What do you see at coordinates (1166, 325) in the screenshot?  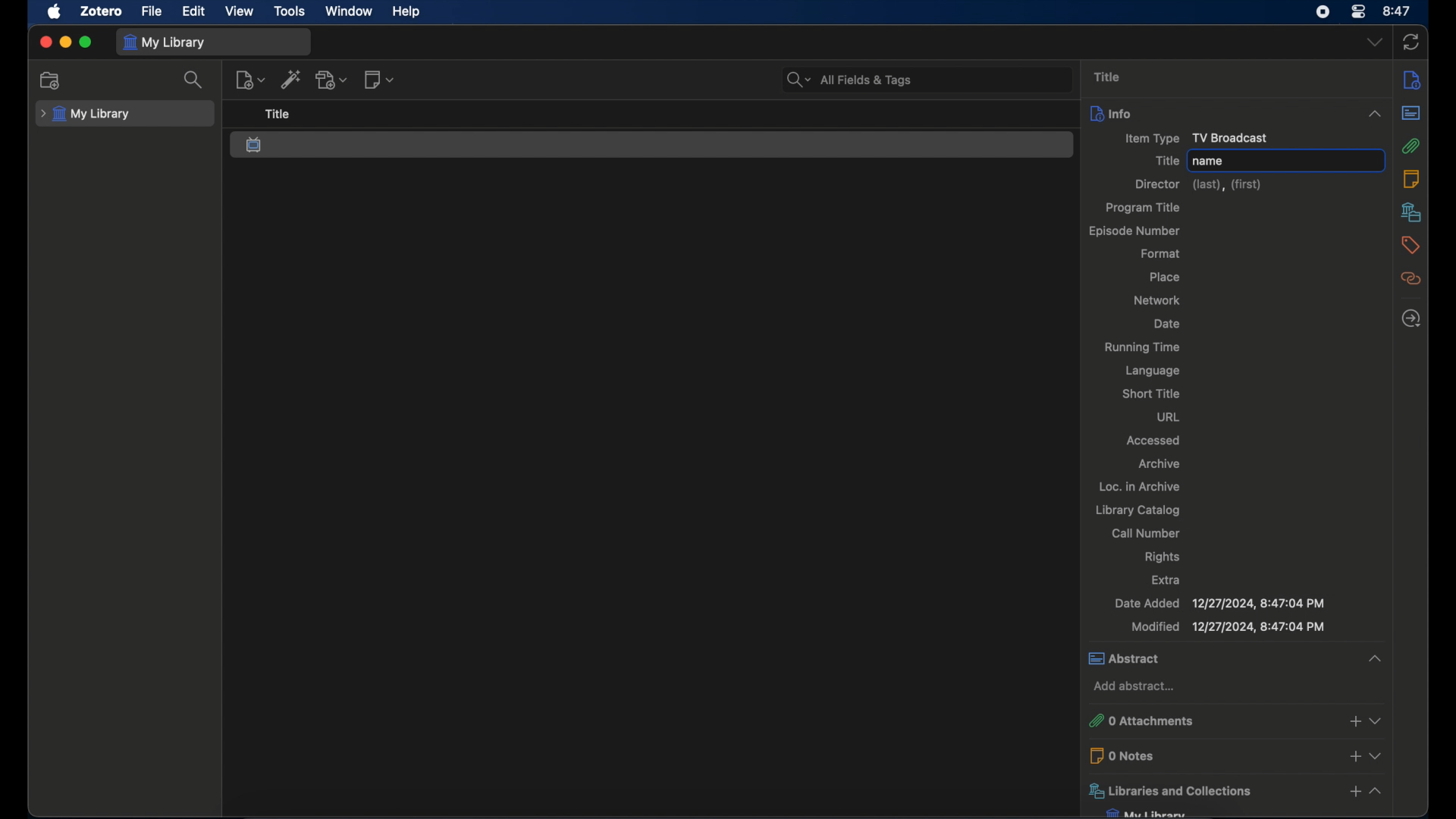 I see `date` at bounding box center [1166, 325].